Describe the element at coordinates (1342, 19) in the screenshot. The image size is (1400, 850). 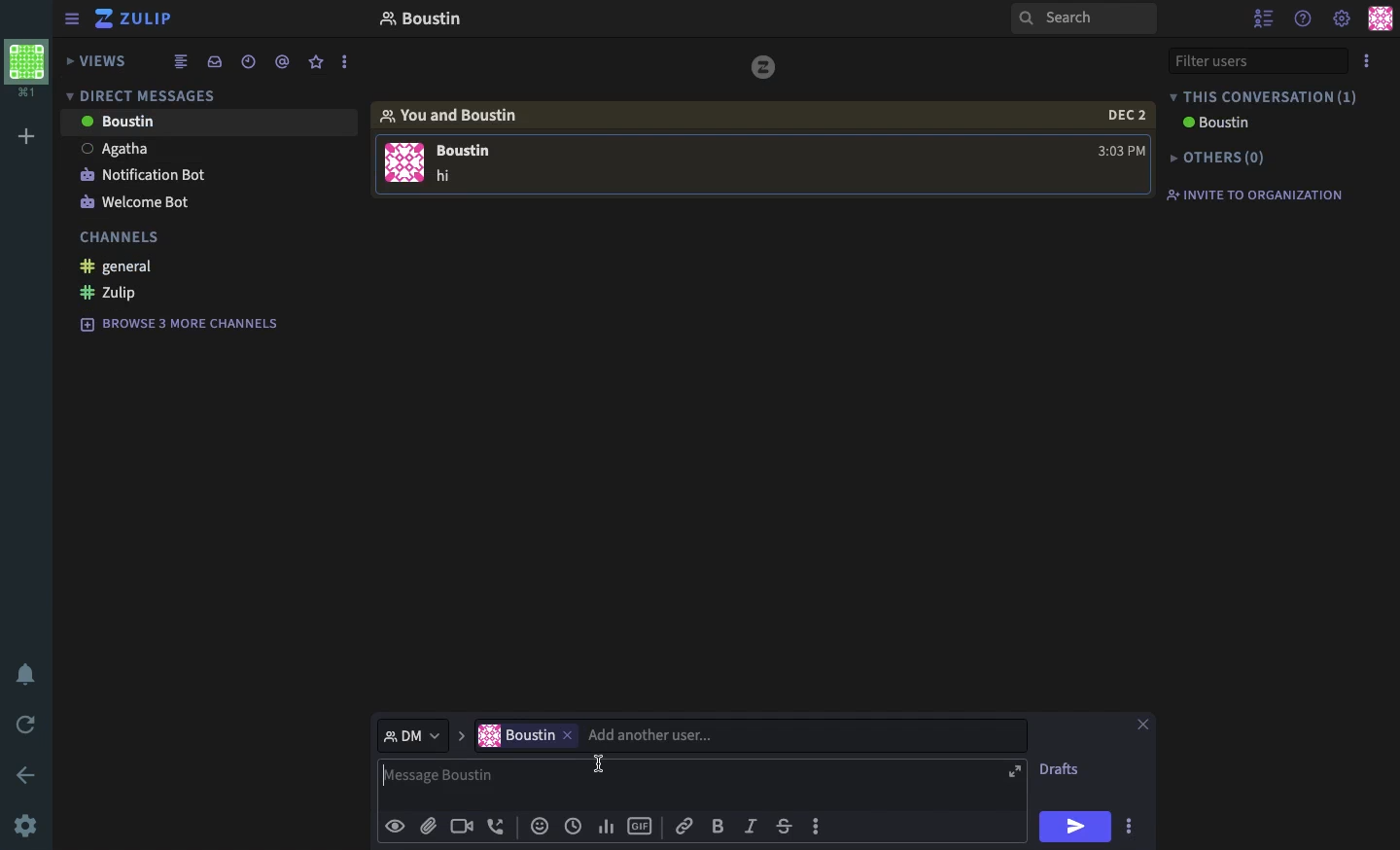
I see `settings` at that location.